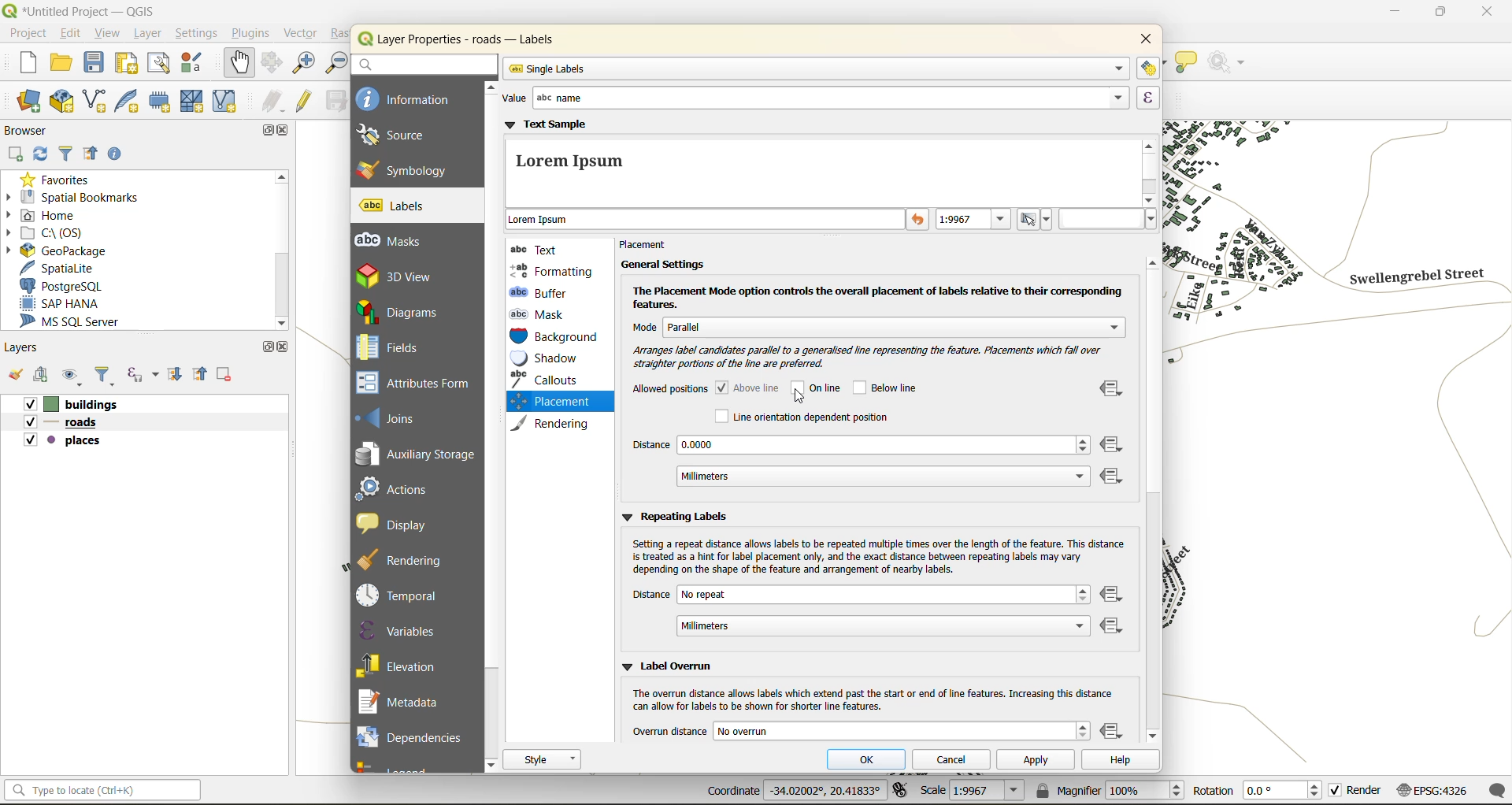 Image resolution: width=1512 pixels, height=805 pixels. What do you see at coordinates (171, 377) in the screenshot?
I see `expand all` at bounding box center [171, 377].